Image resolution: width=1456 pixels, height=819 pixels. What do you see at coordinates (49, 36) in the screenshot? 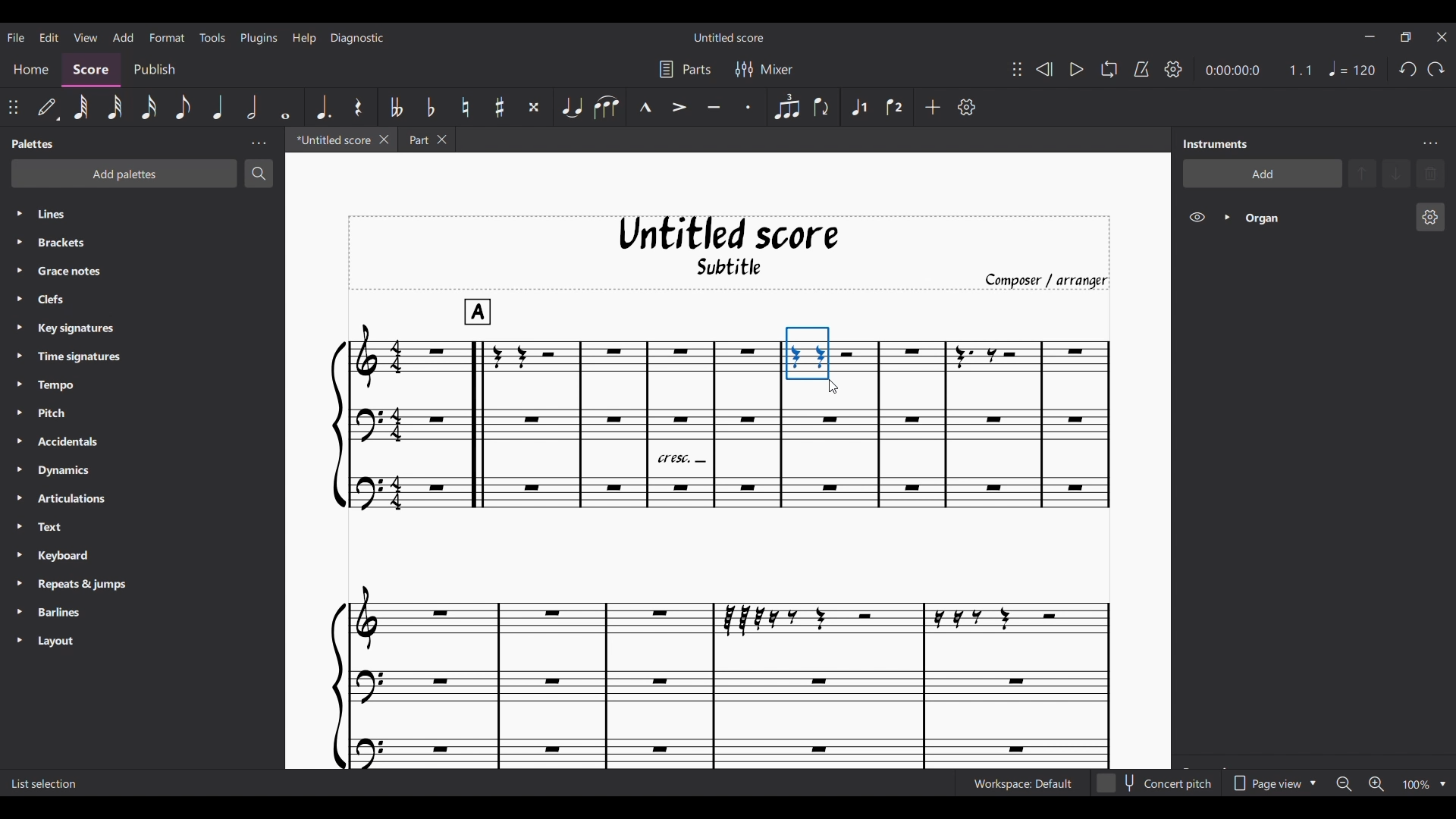
I see `Edit menu` at bounding box center [49, 36].